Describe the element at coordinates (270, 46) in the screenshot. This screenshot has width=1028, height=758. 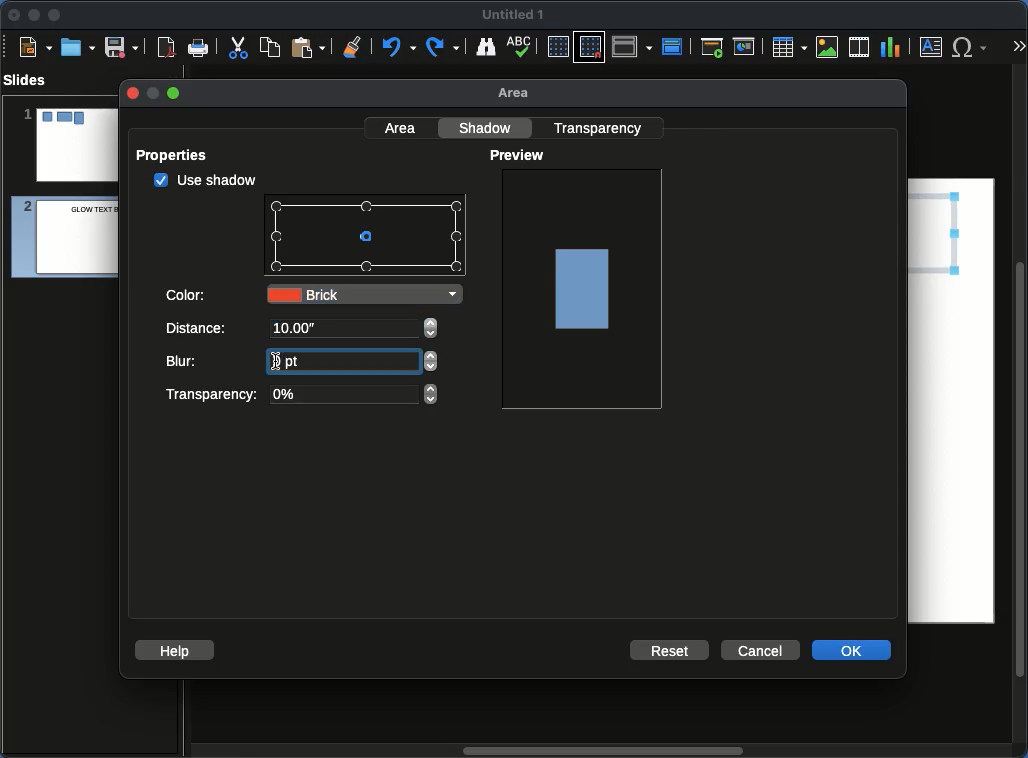
I see `Copy` at that location.